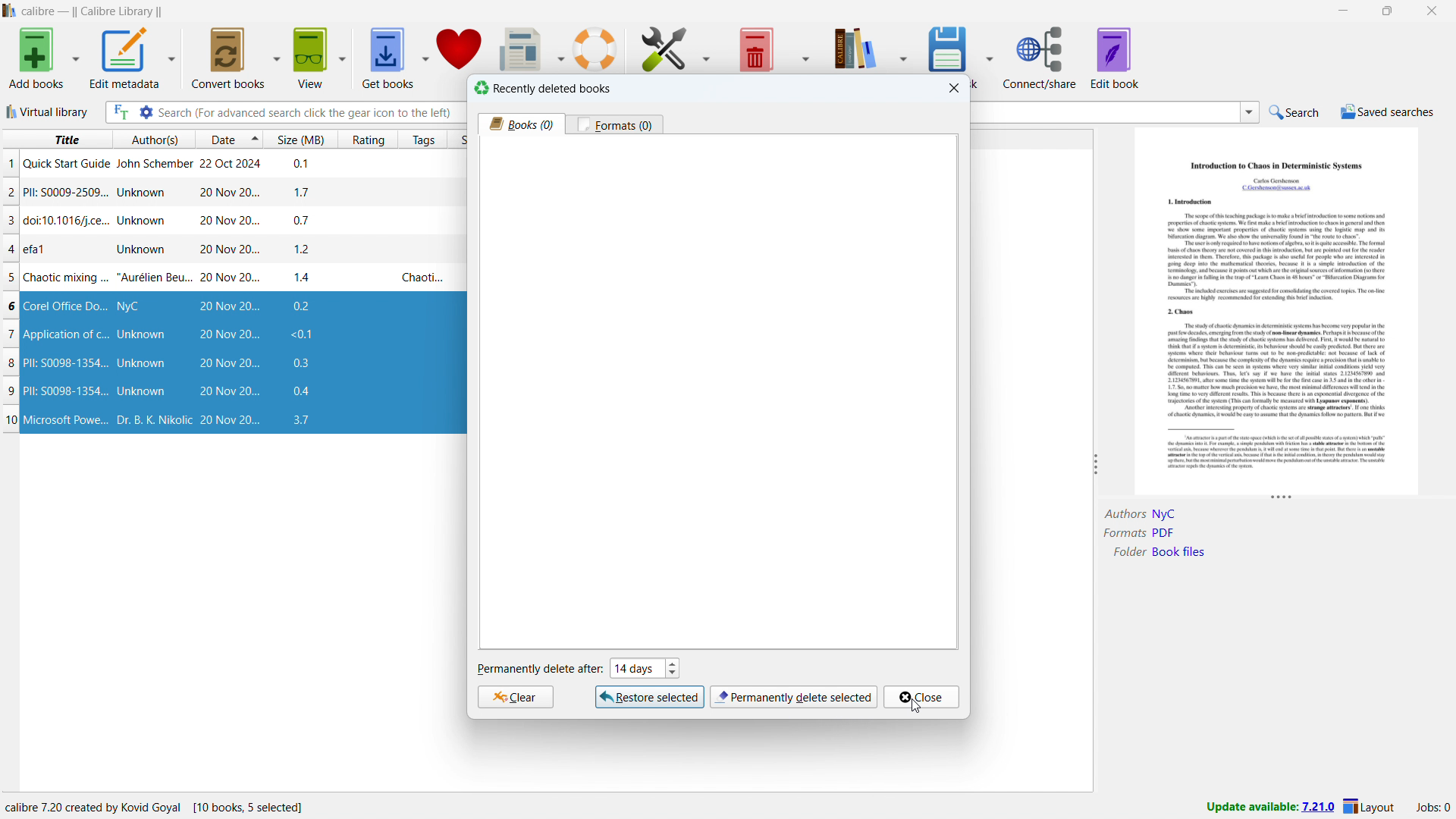 This screenshot has width=1456, height=819. I want to click on resize, so click(1282, 498).